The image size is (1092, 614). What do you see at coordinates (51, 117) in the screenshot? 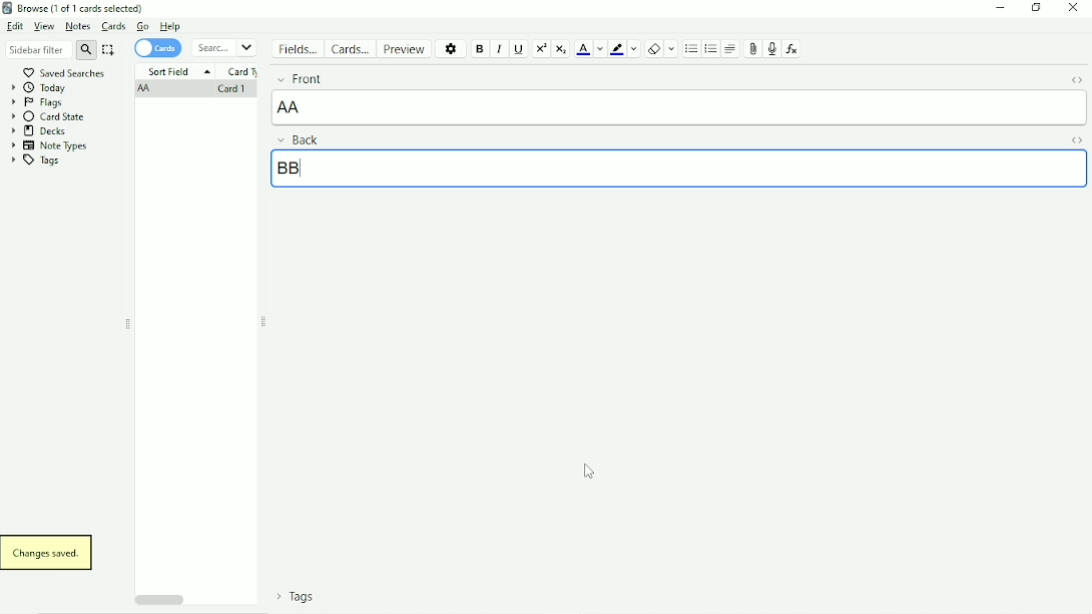
I see `Card State` at bounding box center [51, 117].